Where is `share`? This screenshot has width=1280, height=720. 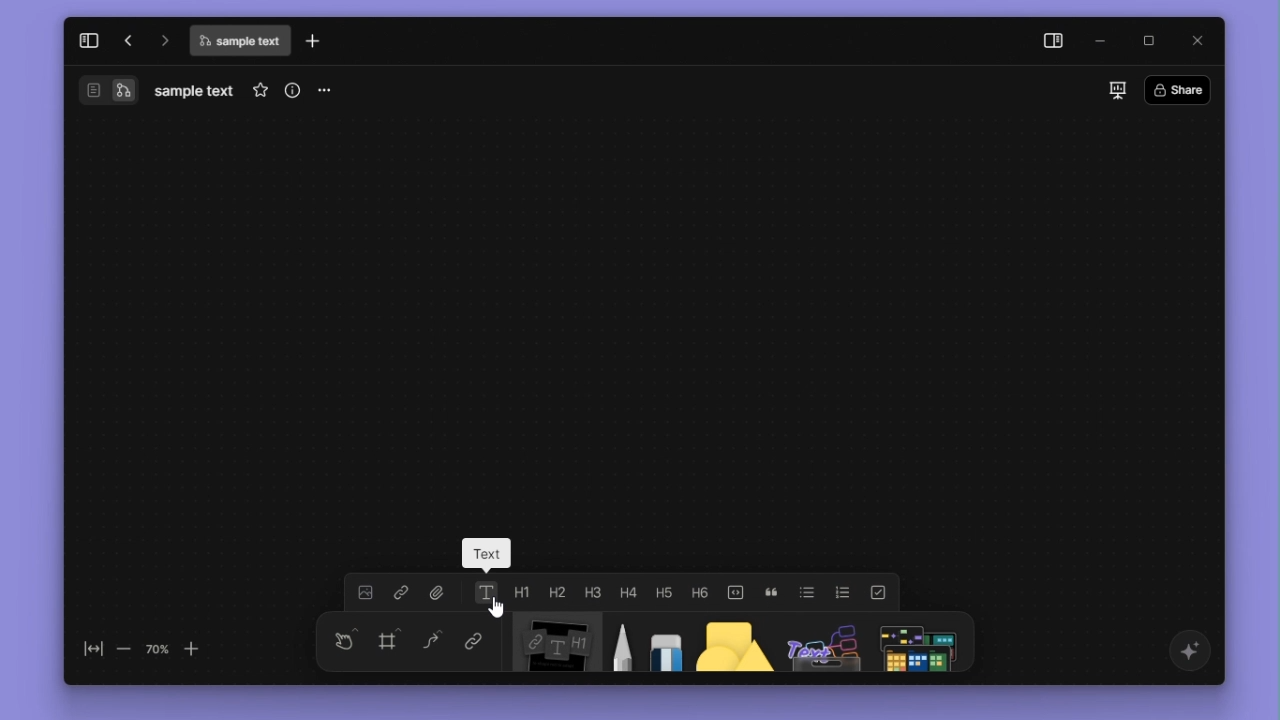 share is located at coordinates (1182, 88).